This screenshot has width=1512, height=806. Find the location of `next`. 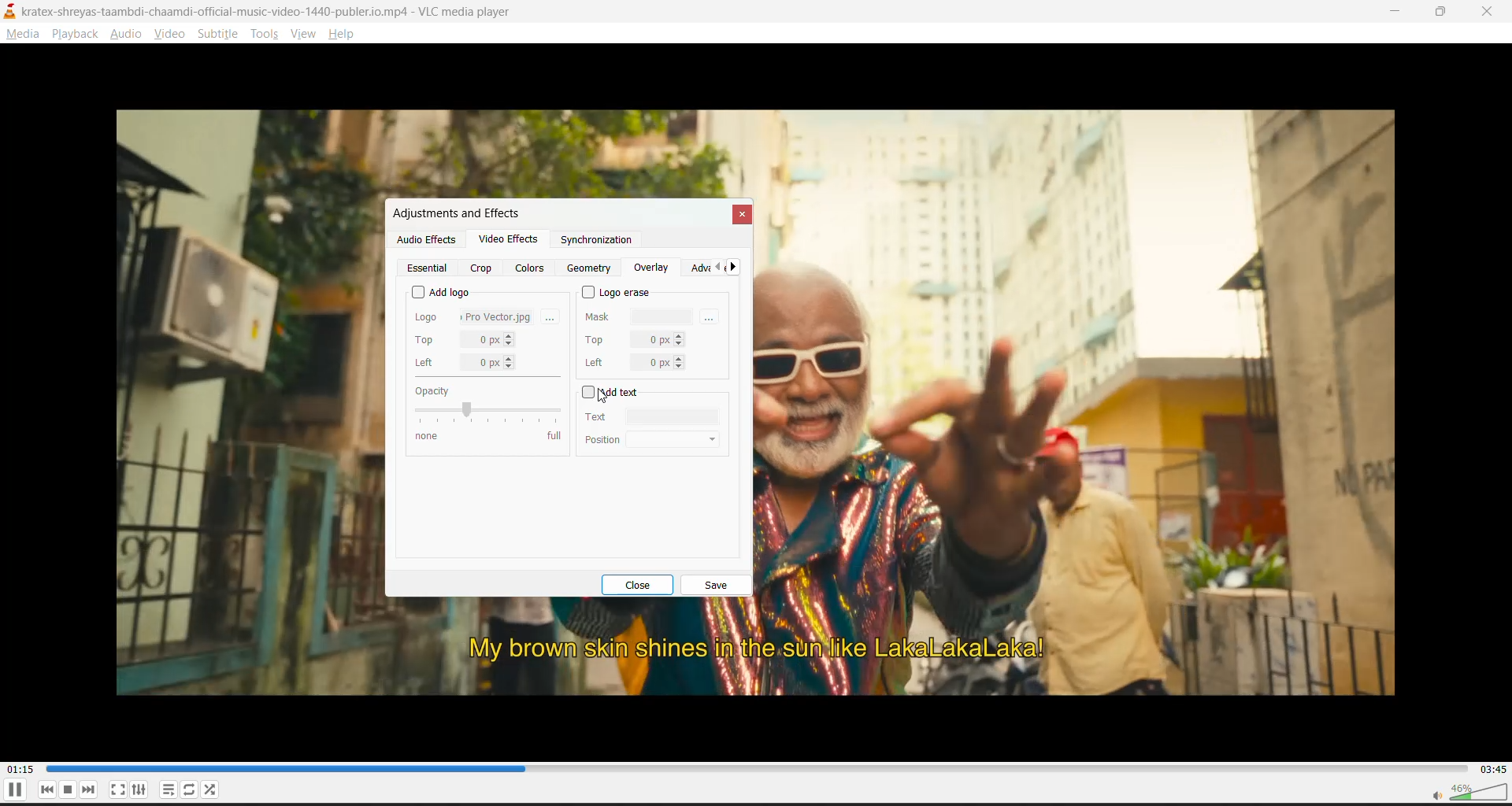

next is located at coordinates (736, 269).